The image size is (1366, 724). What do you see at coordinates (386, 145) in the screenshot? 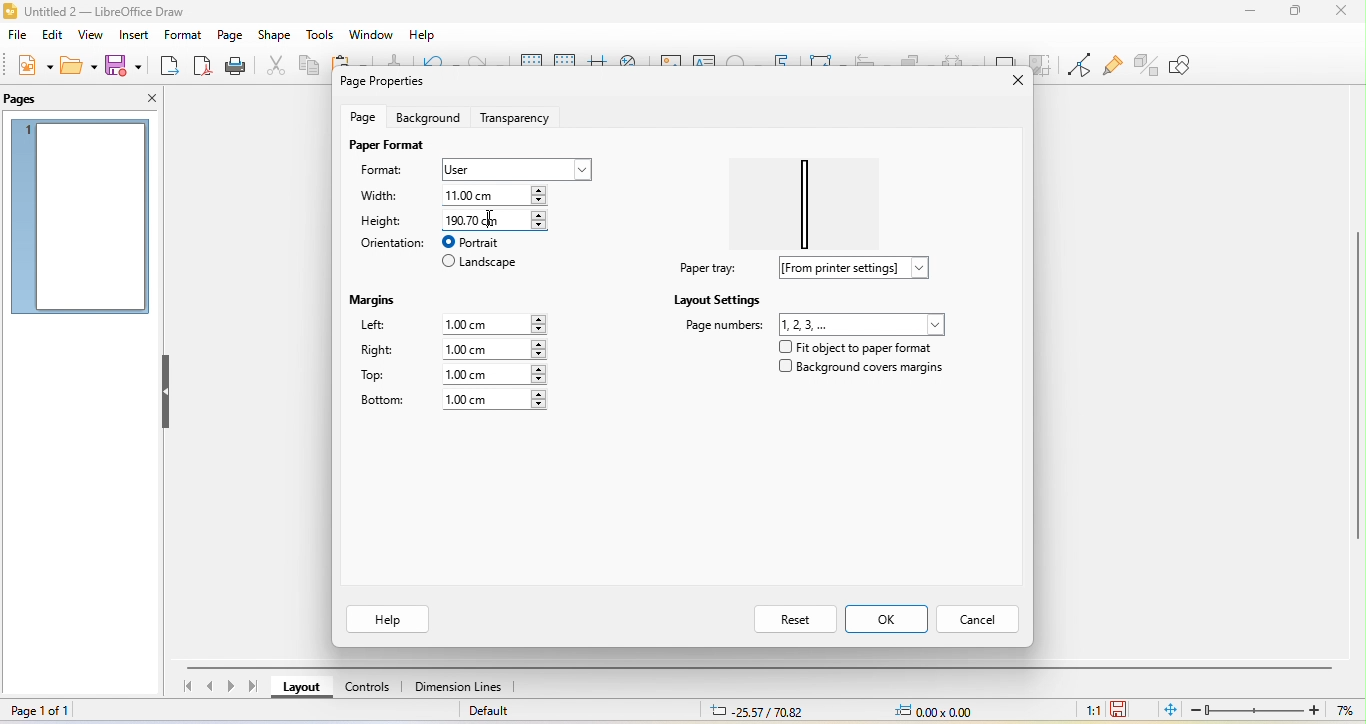
I see `paper format` at bounding box center [386, 145].